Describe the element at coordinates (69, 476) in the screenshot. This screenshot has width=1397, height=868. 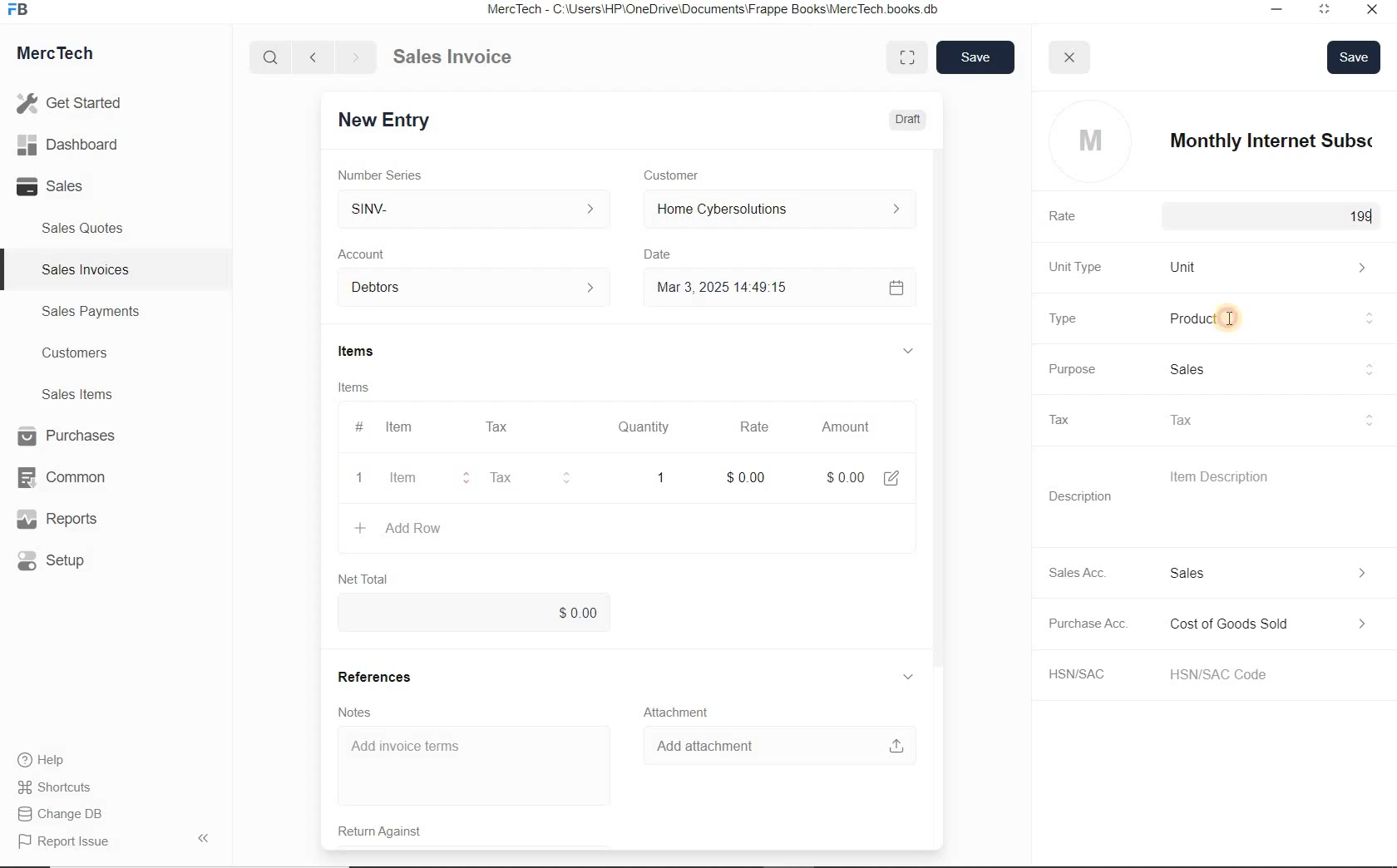
I see `Common` at that location.